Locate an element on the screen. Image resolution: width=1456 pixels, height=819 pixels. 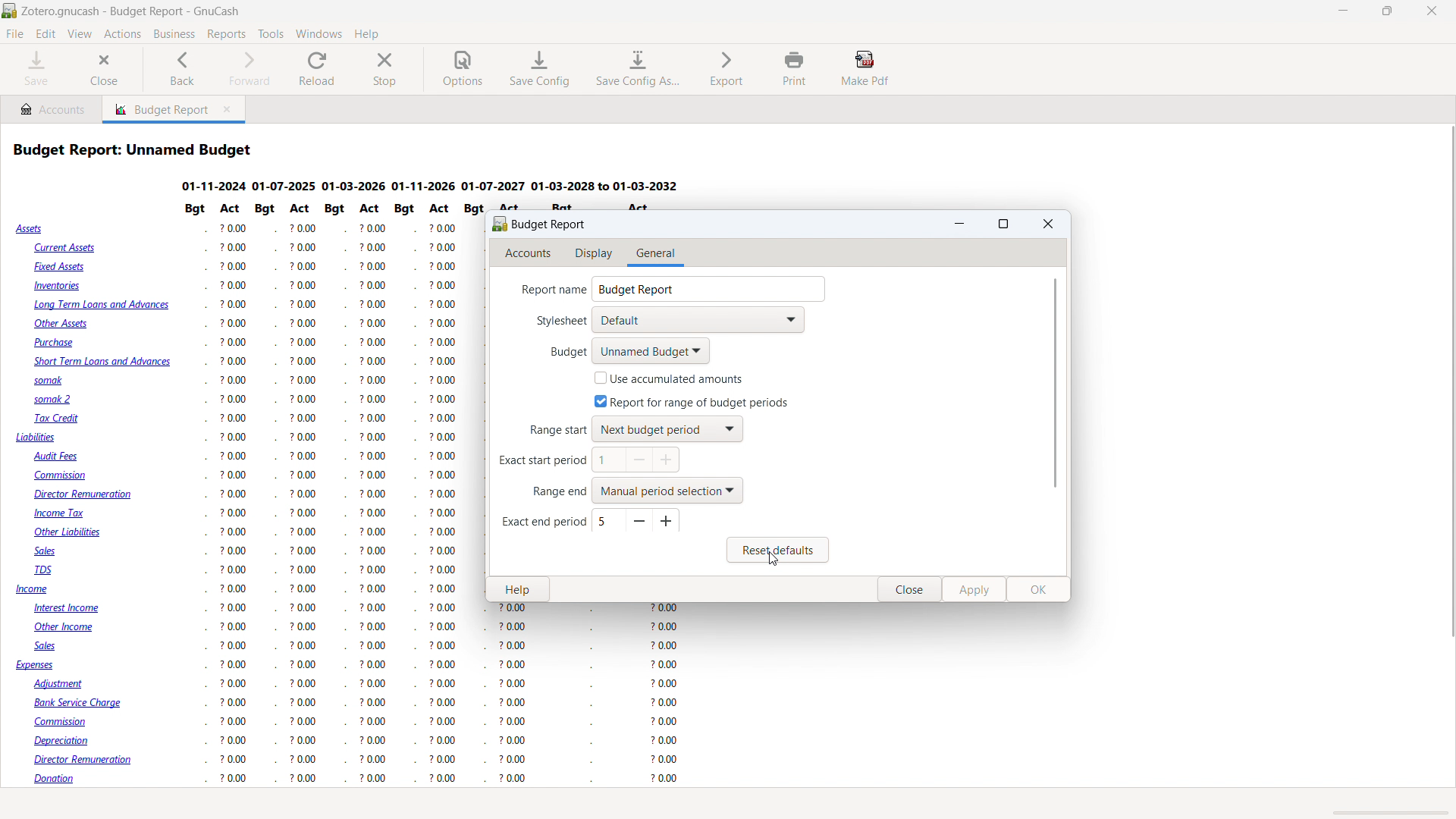
display is located at coordinates (595, 254).